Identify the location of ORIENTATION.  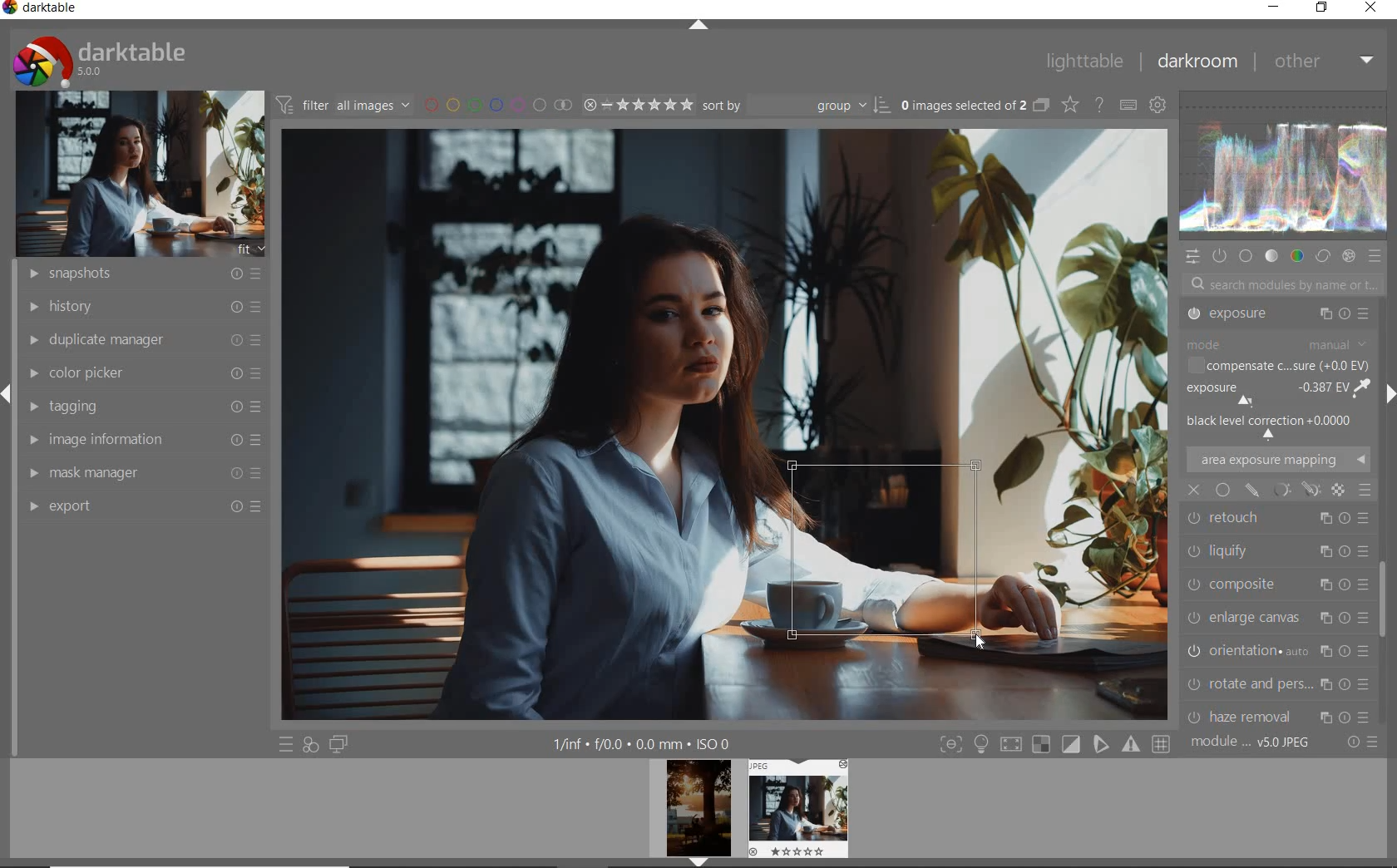
(1281, 547).